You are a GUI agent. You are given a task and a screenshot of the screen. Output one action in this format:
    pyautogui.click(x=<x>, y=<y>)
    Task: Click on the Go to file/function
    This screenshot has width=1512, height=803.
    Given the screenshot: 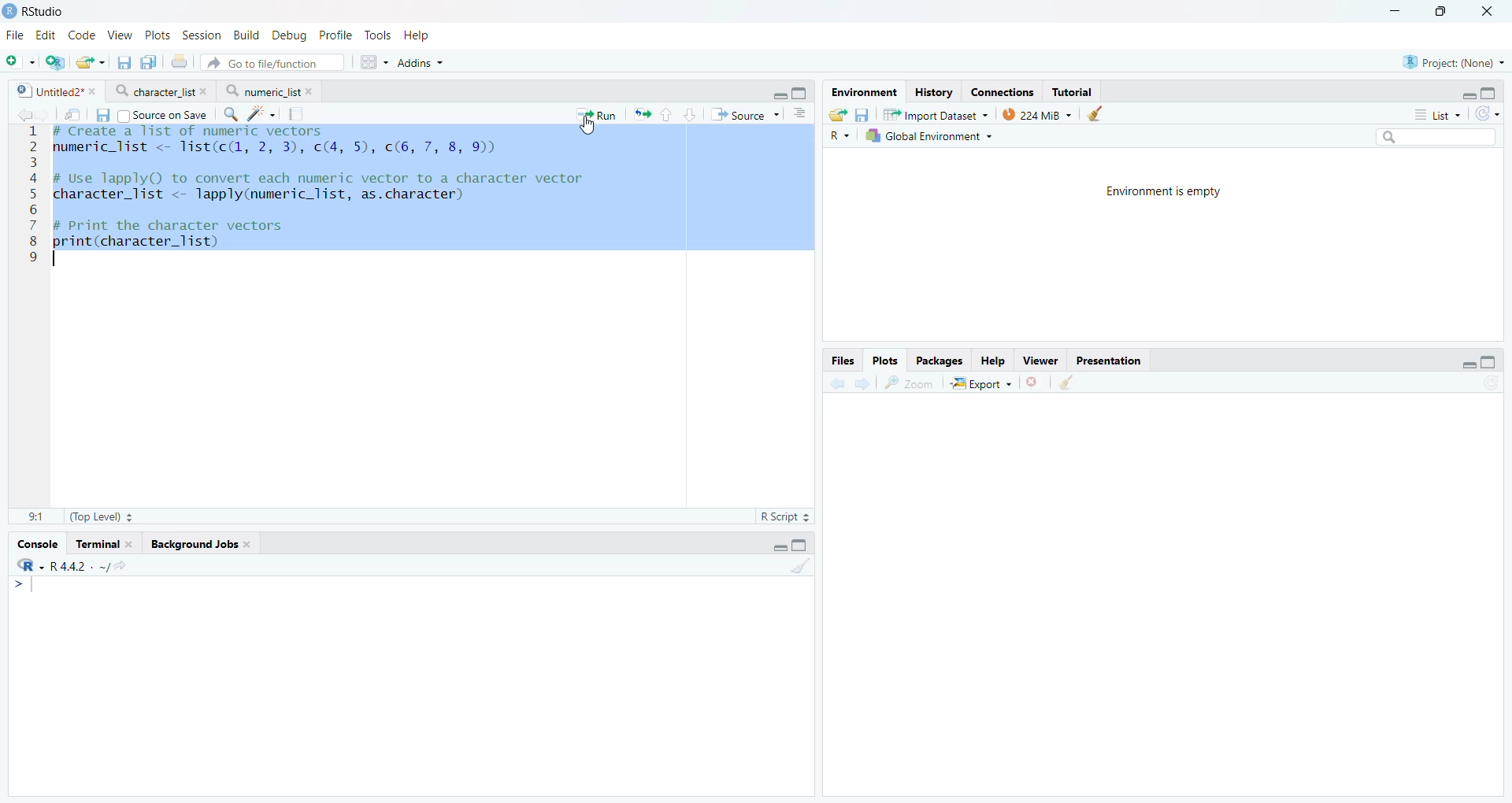 What is the action you would take?
    pyautogui.click(x=272, y=62)
    